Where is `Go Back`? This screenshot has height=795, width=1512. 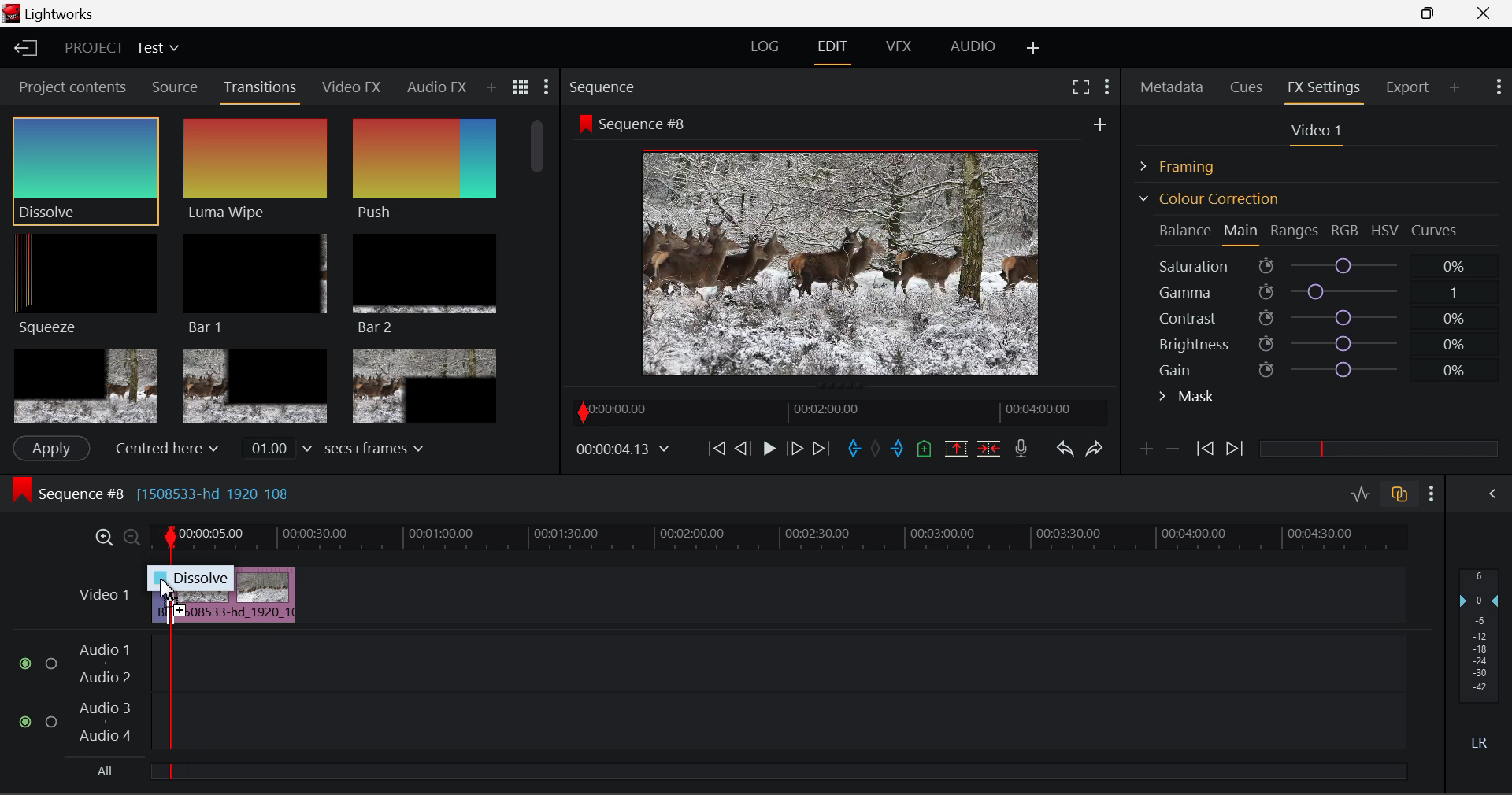
Go Back is located at coordinates (745, 447).